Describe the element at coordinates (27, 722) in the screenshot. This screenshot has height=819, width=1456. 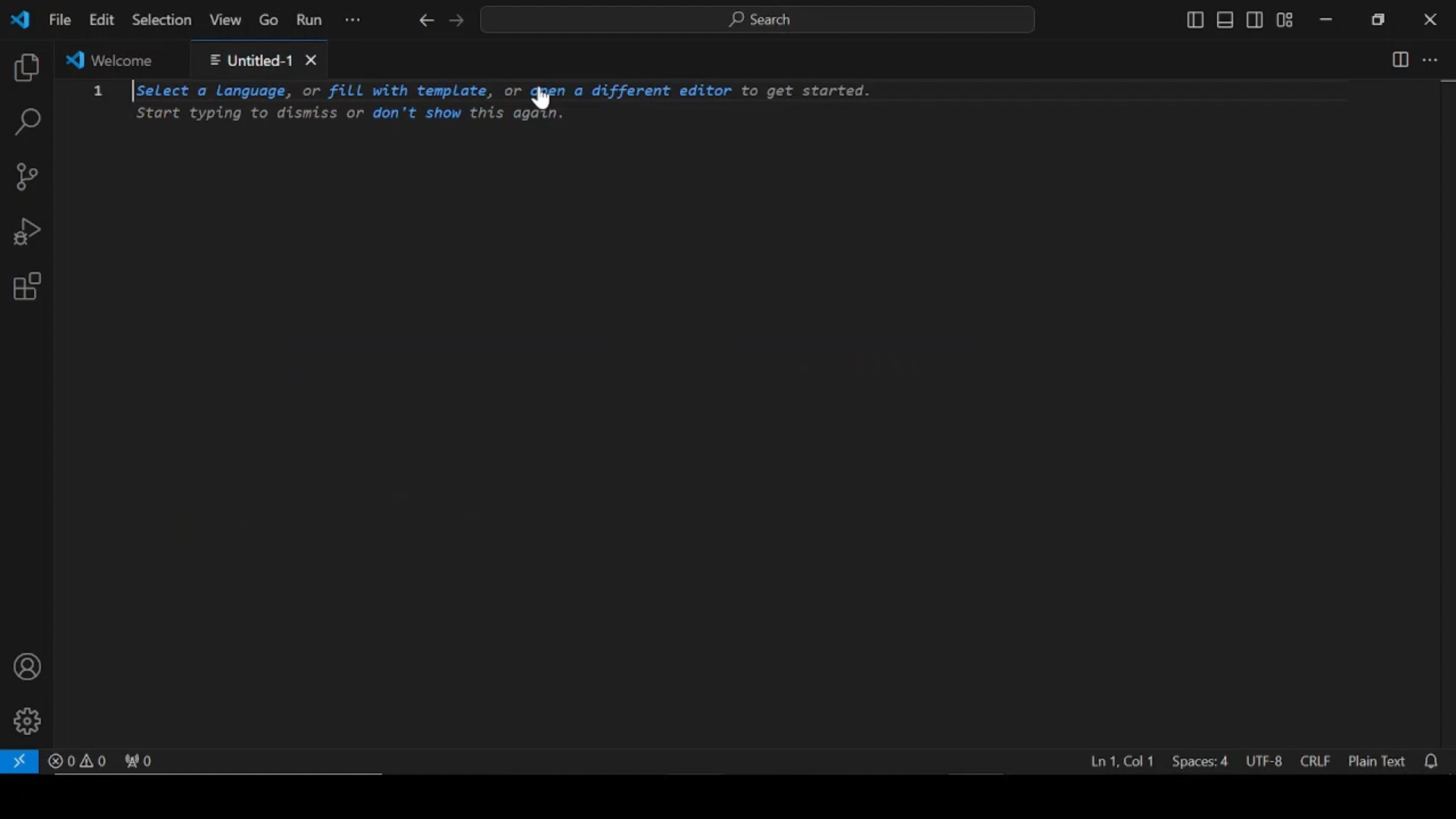
I see `manage` at that location.